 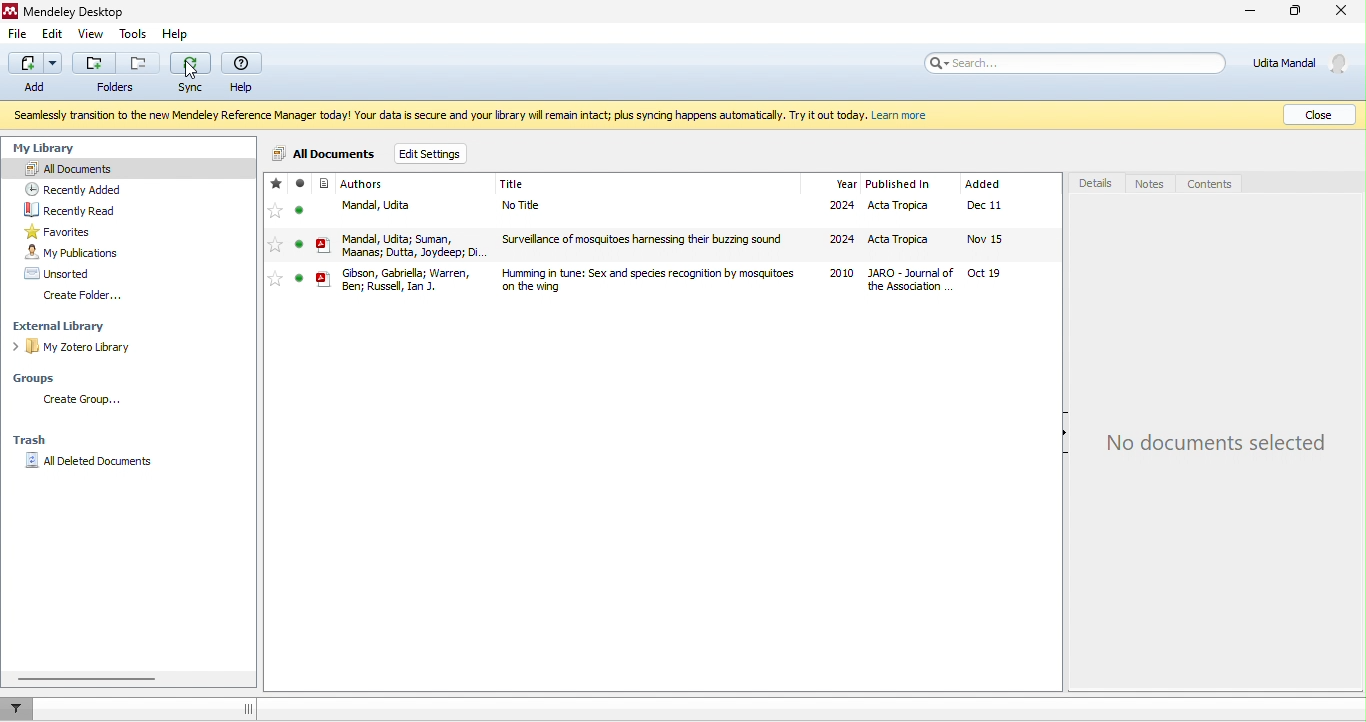 I want to click on all documents, so click(x=125, y=168).